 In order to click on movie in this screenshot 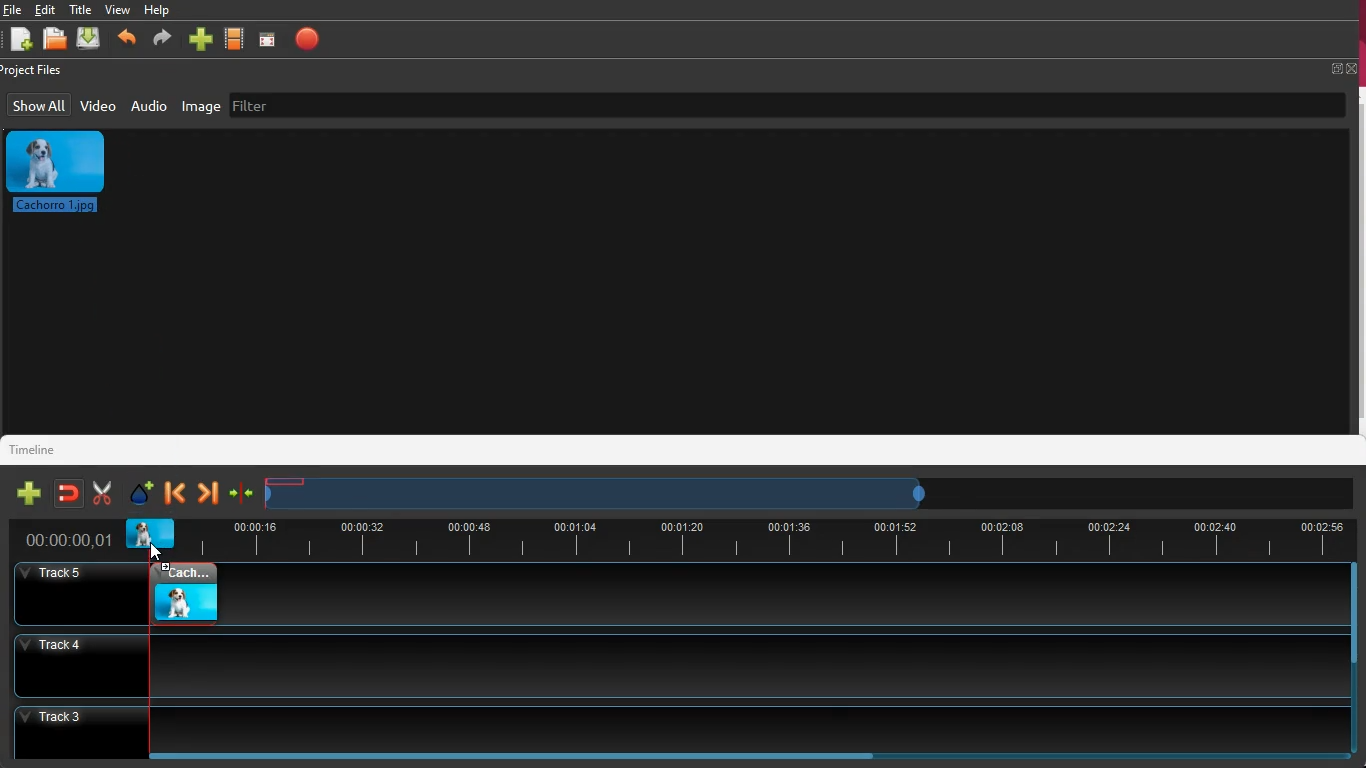, I will do `click(235, 38)`.